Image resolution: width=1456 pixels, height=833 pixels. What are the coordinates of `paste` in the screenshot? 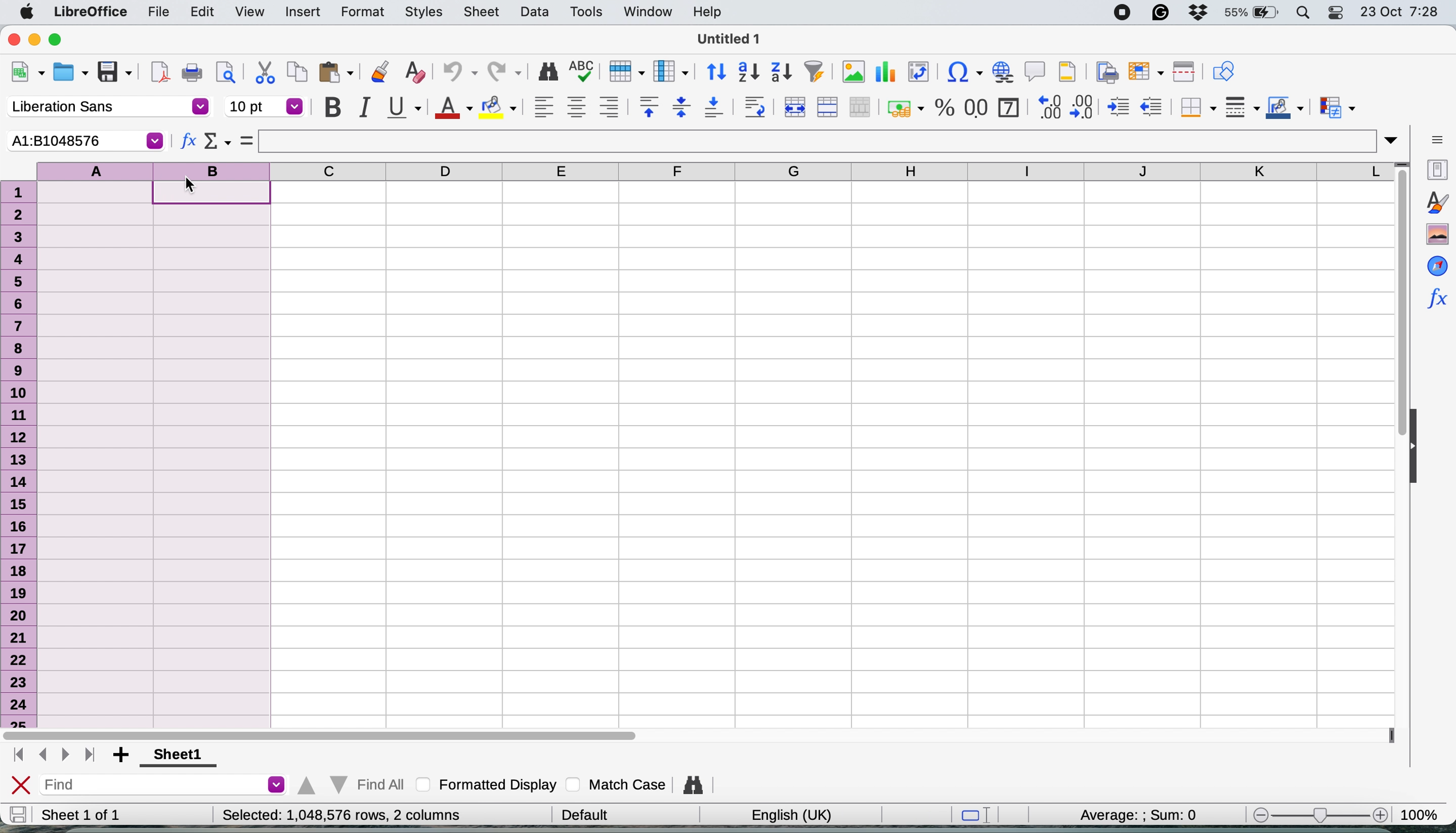 It's located at (339, 74).